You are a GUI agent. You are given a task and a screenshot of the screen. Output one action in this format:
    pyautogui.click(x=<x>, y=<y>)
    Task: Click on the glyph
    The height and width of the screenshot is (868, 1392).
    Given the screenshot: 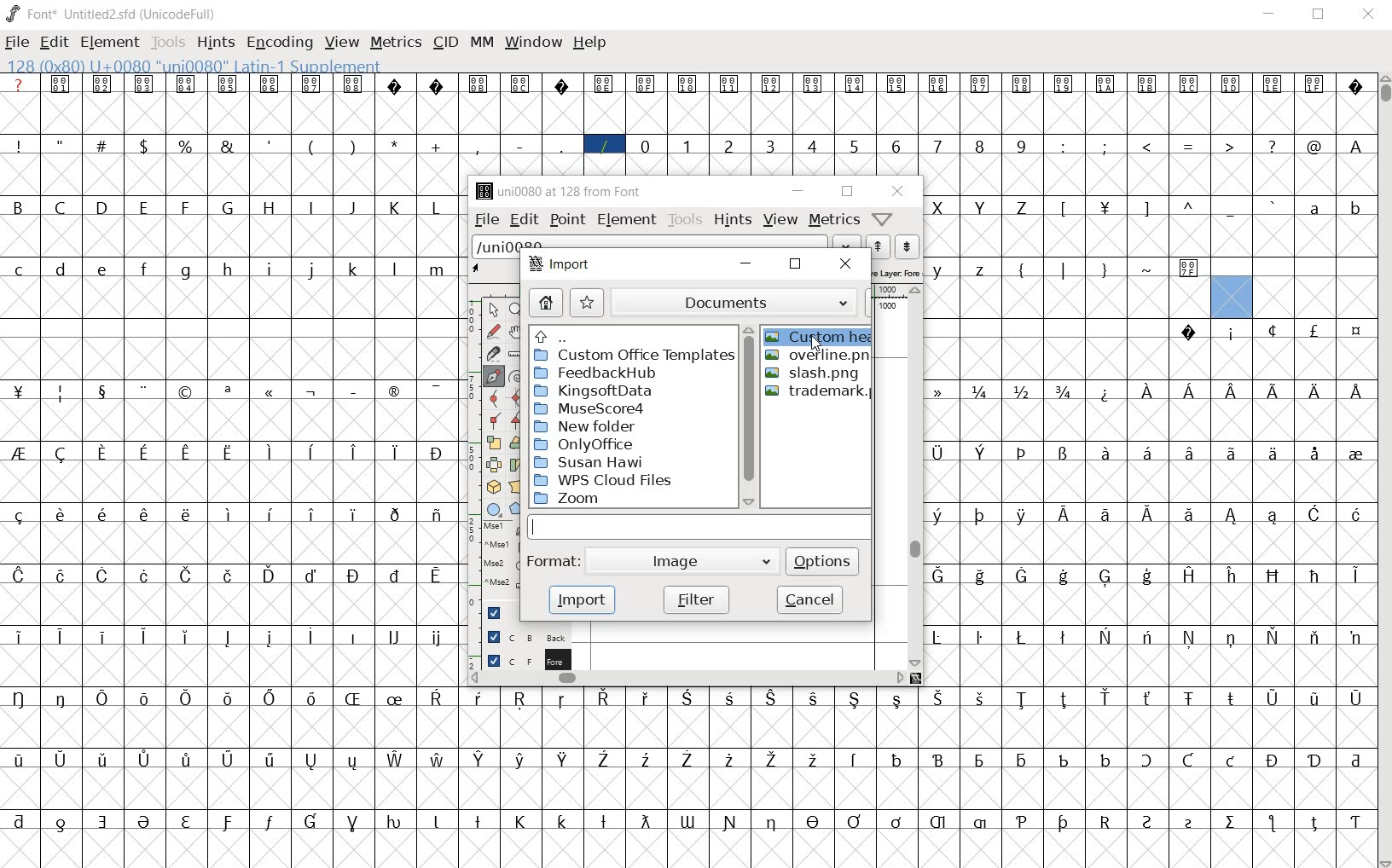 What is the action you would take?
    pyautogui.click(x=1273, y=576)
    